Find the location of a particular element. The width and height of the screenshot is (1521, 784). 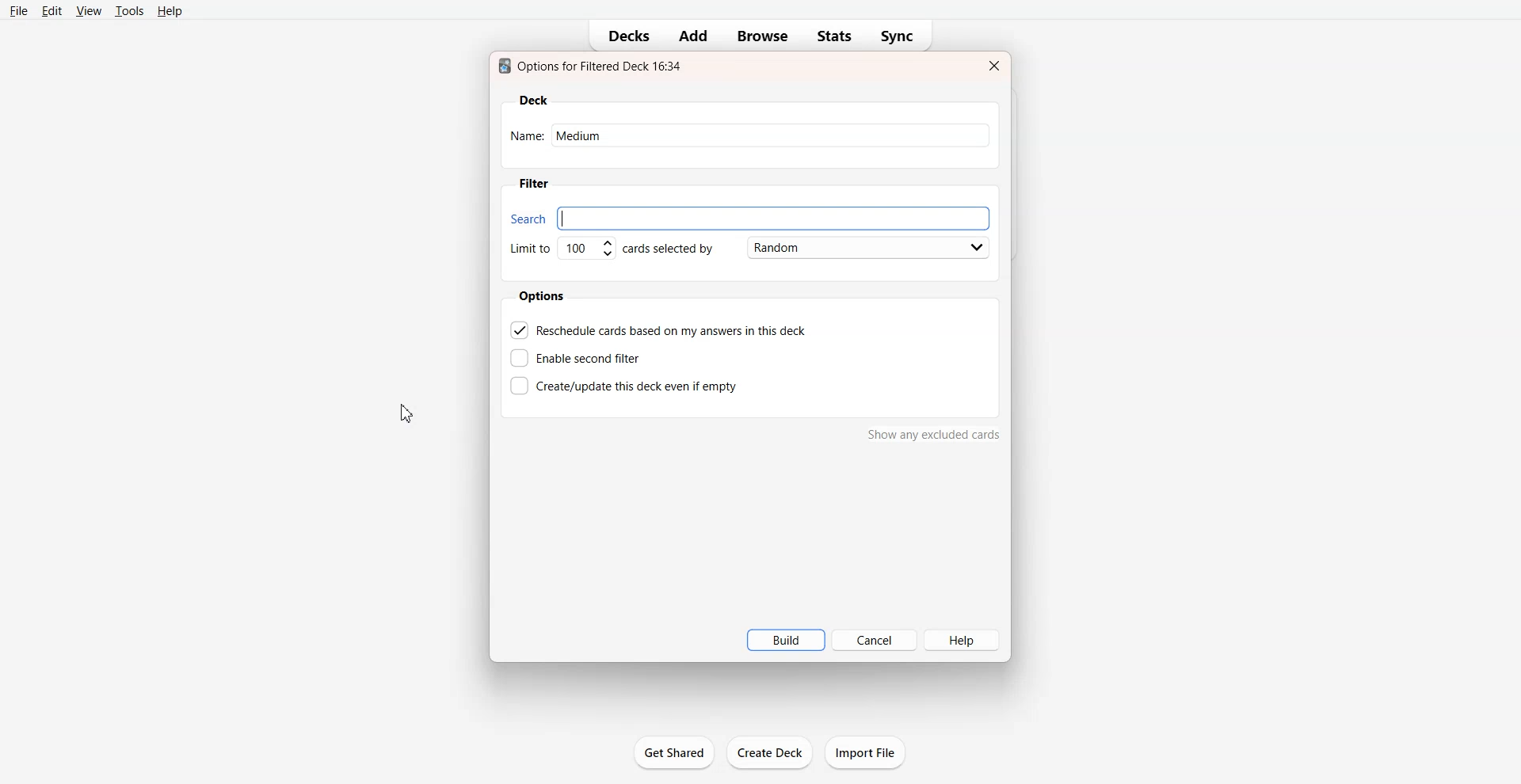

get shared is located at coordinates (677, 755).